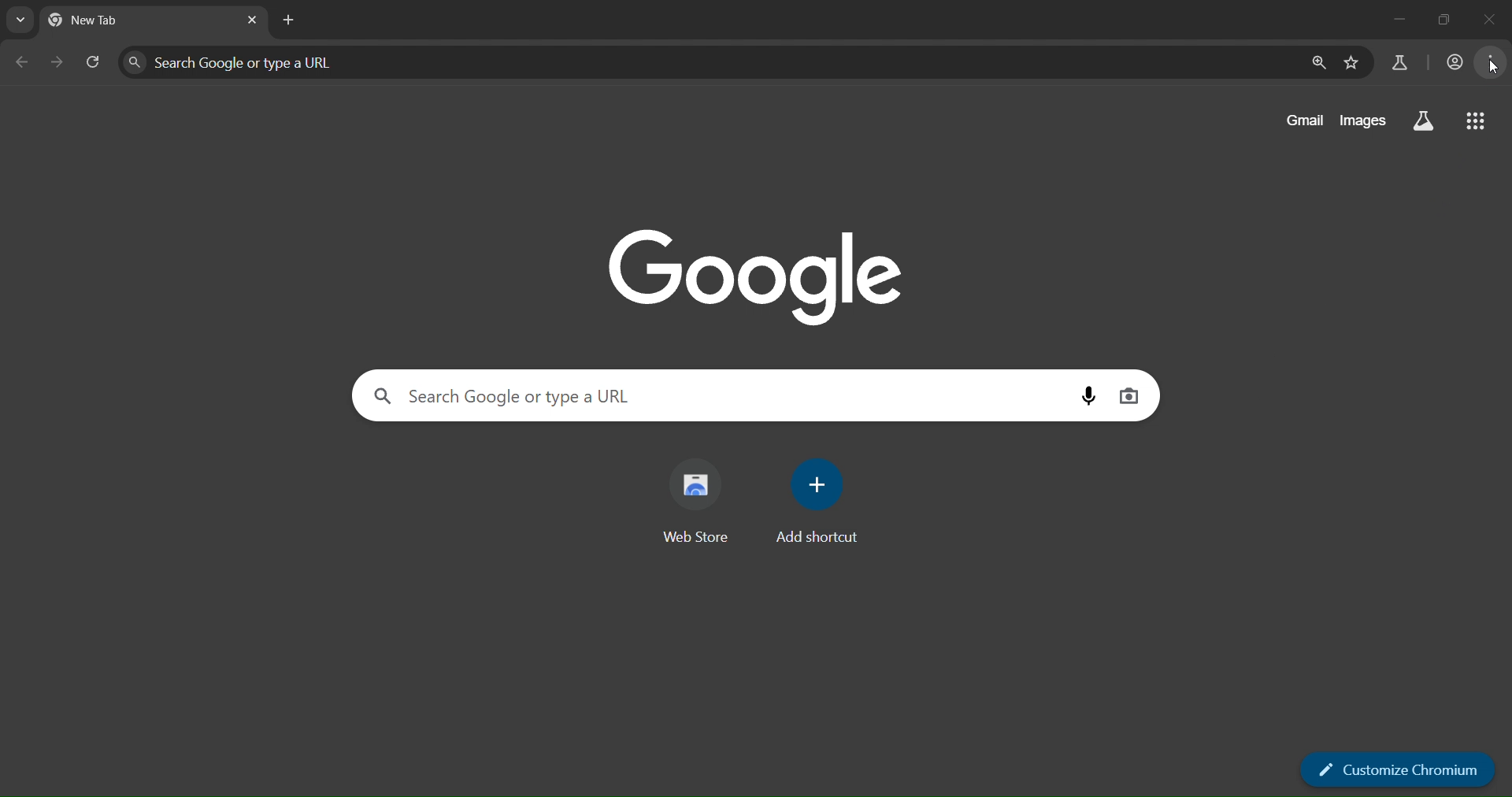 The height and width of the screenshot is (797, 1512). Describe the element at coordinates (1424, 120) in the screenshot. I see `search ` at that location.